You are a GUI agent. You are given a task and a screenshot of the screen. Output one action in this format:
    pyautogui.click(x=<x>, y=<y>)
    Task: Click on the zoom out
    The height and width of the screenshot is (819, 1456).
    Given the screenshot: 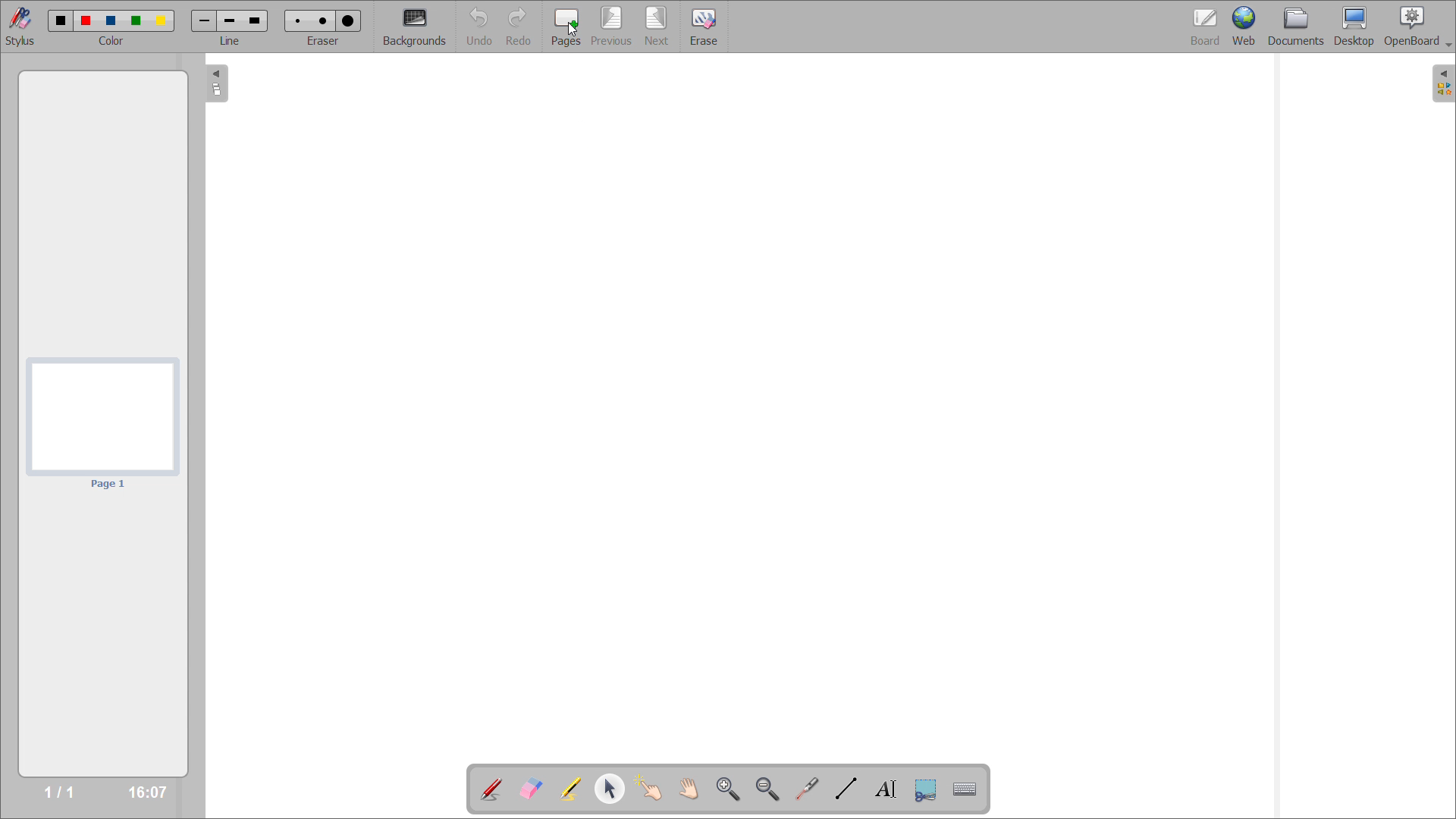 What is the action you would take?
    pyautogui.click(x=768, y=789)
    